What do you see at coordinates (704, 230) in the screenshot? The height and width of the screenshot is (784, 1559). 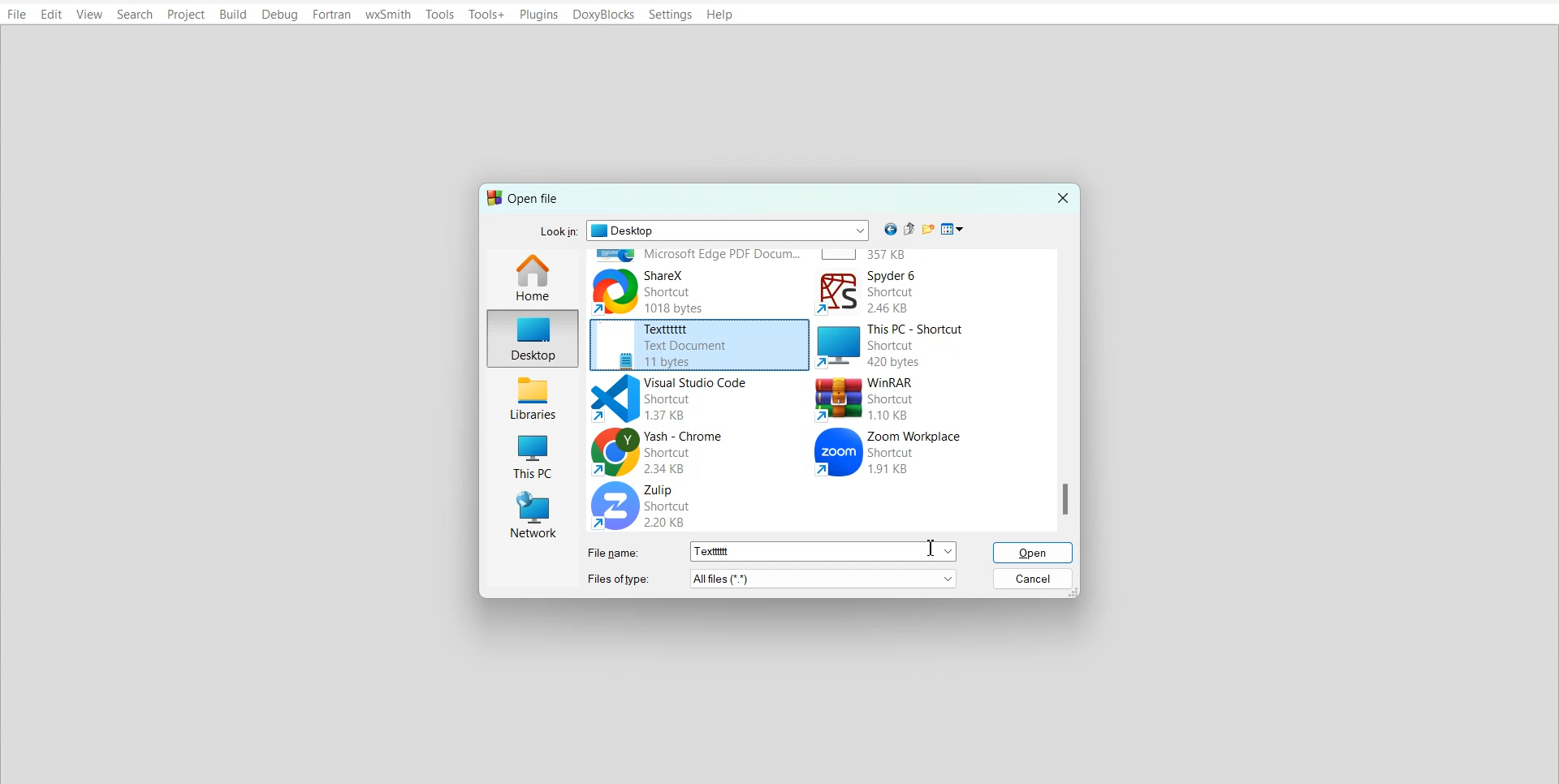 I see `Look in` at bounding box center [704, 230].